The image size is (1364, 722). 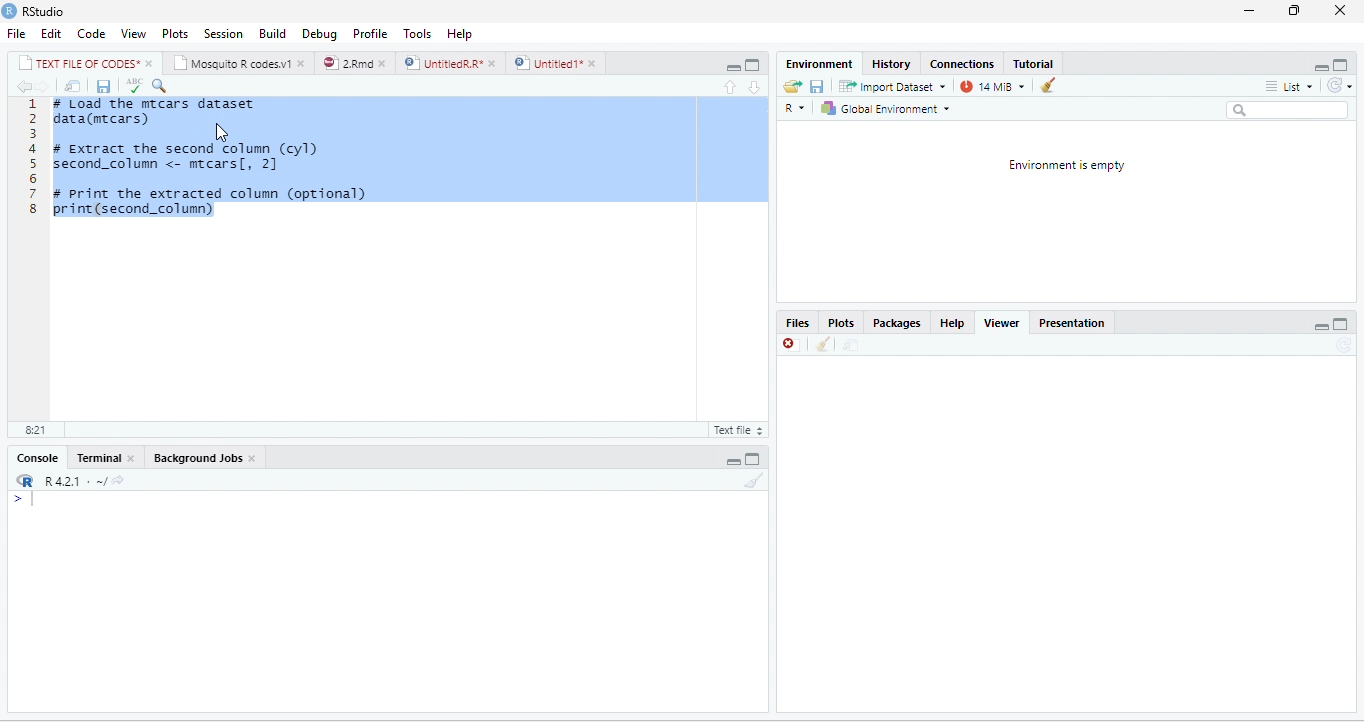 I want to click on 2, so click(x=33, y=119).